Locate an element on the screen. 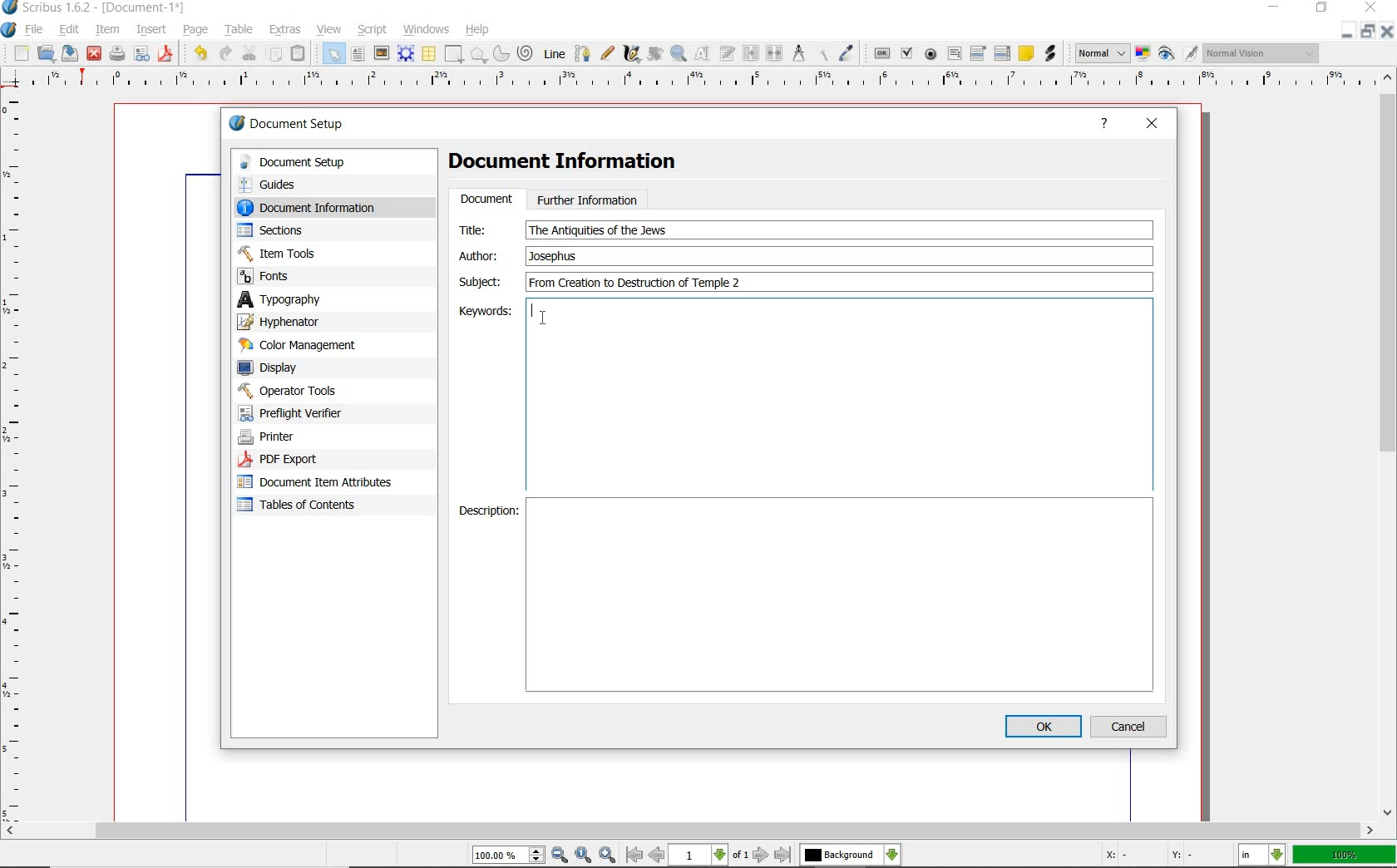 Image resolution: width=1397 pixels, height=868 pixels. PDF Export is located at coordinates (308, 459).